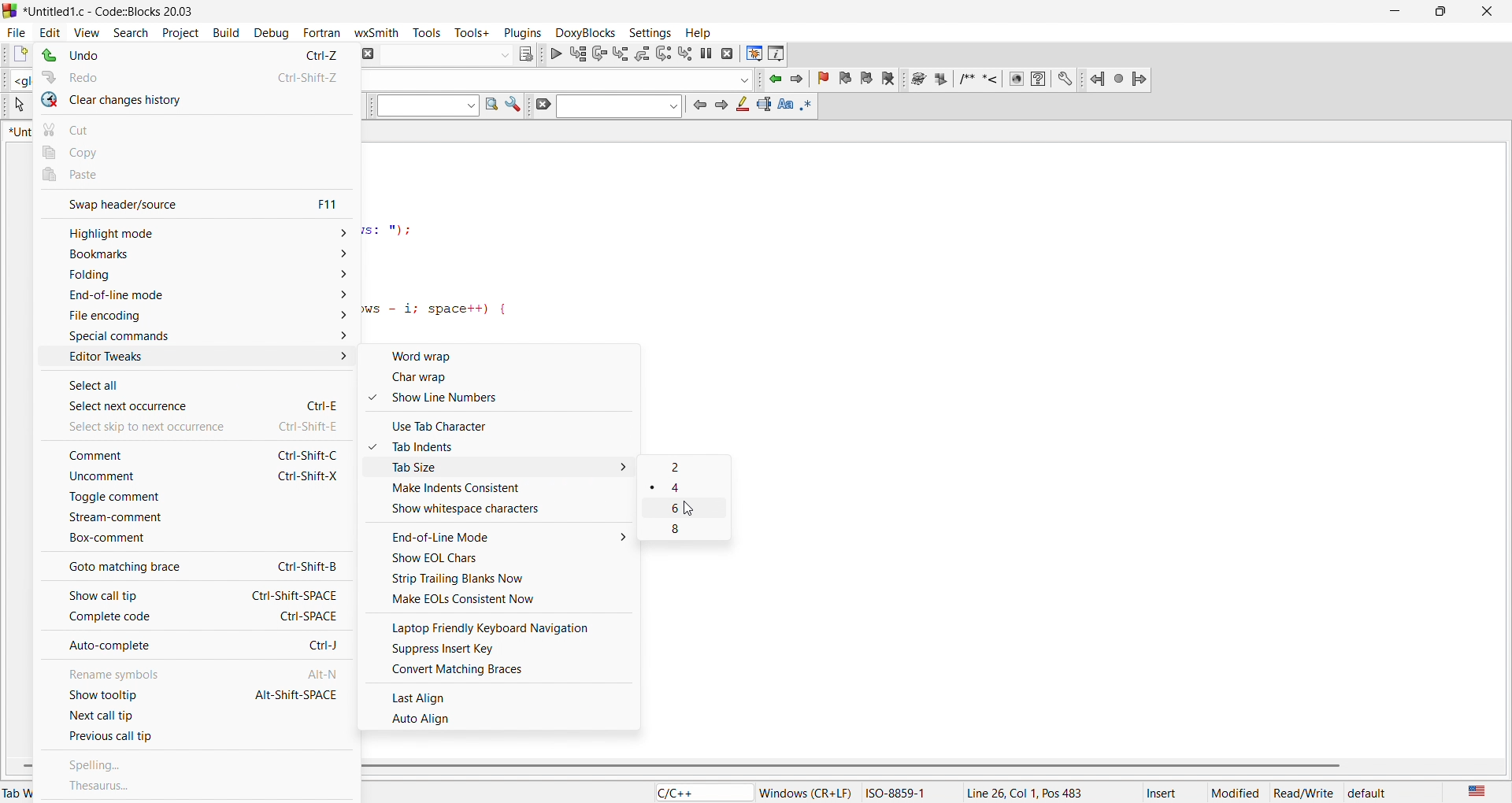 The width and height of the screenshot is (1512, 803). What do you see at coordinates (598, 237) in the screenshot?
I see `code editor` at bounding box center [598, 237].